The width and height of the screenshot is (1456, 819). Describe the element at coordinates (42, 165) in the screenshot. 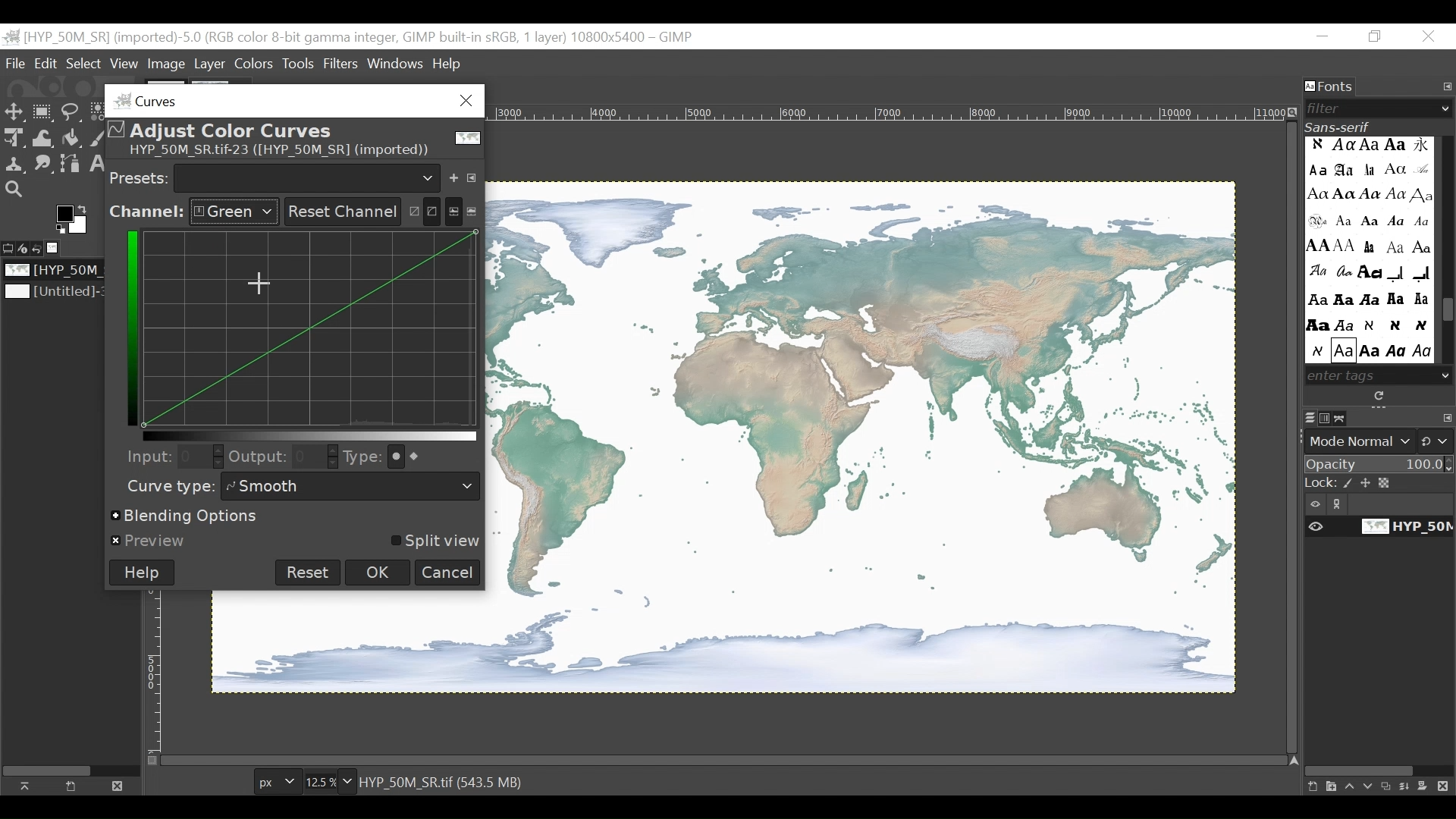

I see `Smudge Tool` at that location.